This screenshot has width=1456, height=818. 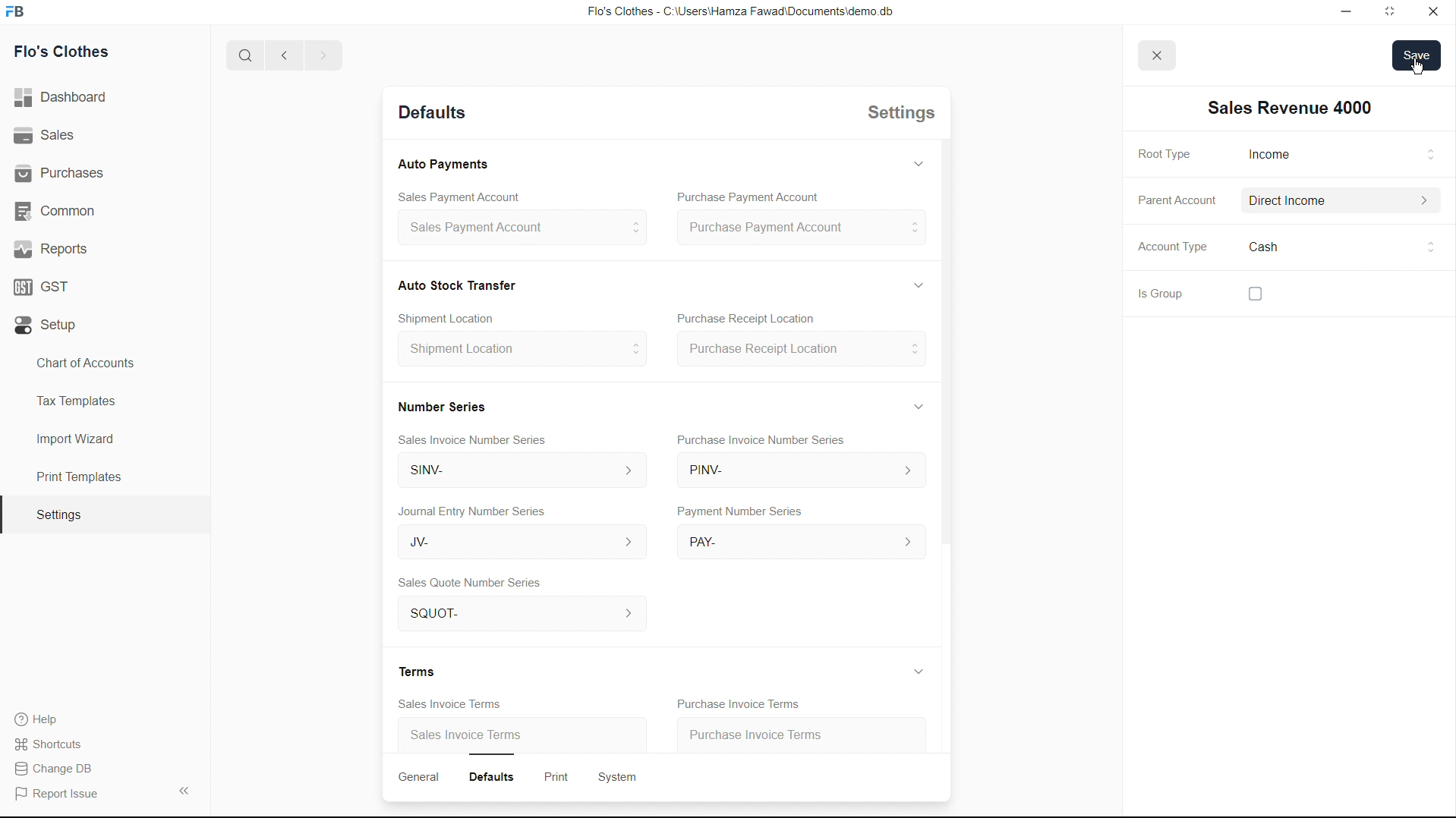 I want to click on Purchase Invoice Terms, so click(x=735, y=702).